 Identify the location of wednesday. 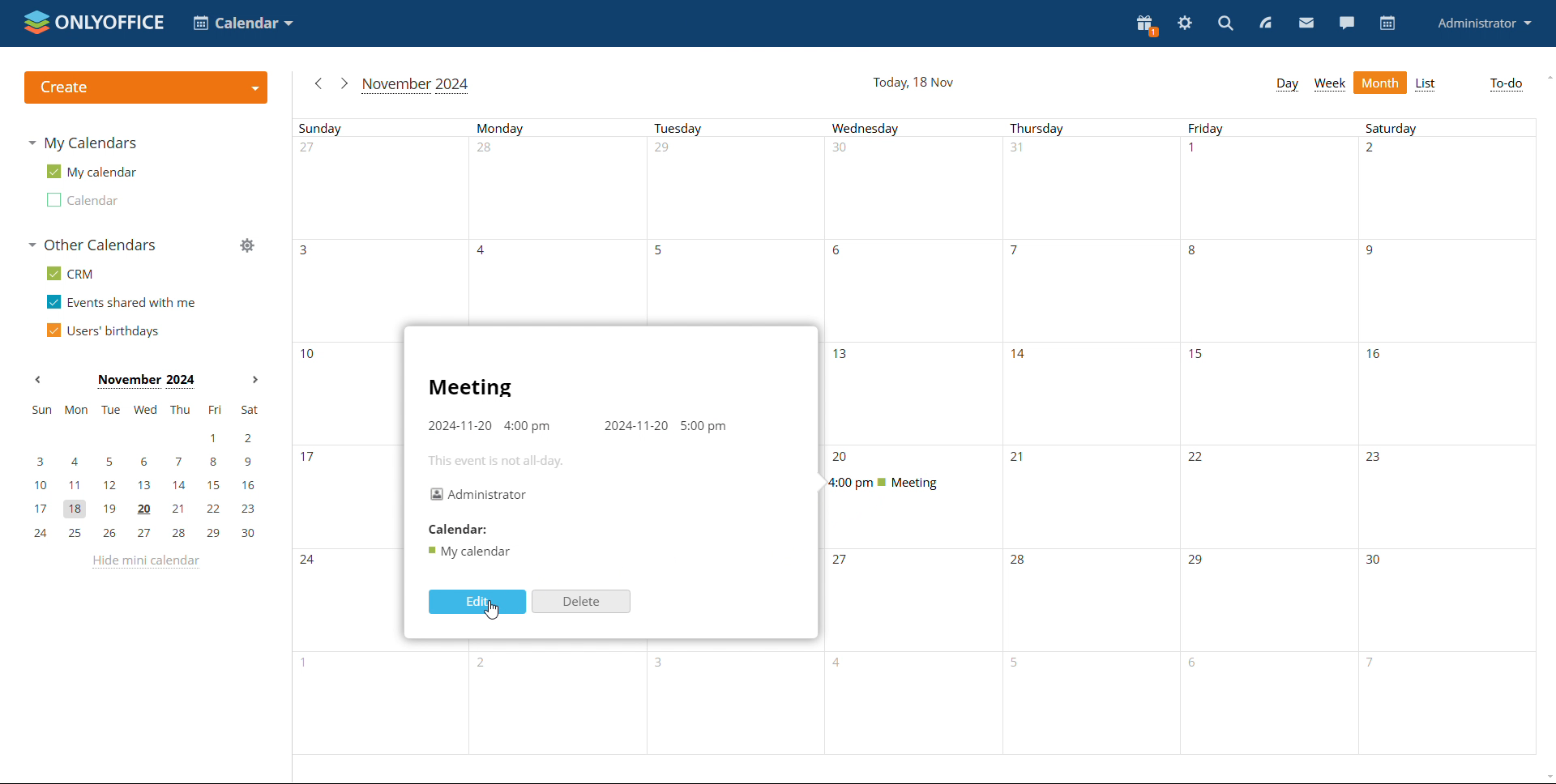
(915, 281).